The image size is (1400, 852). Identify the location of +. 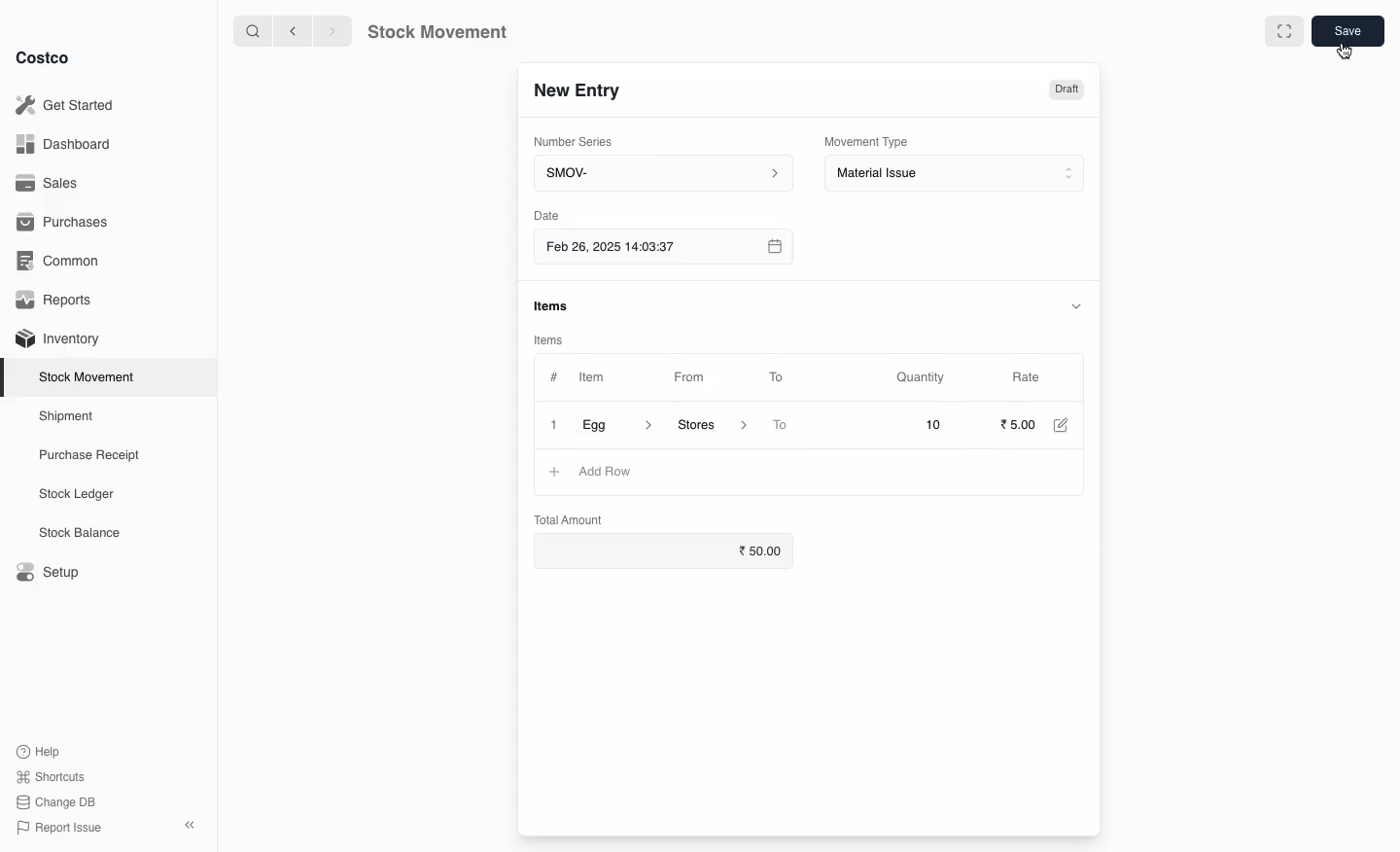
(553, 471).